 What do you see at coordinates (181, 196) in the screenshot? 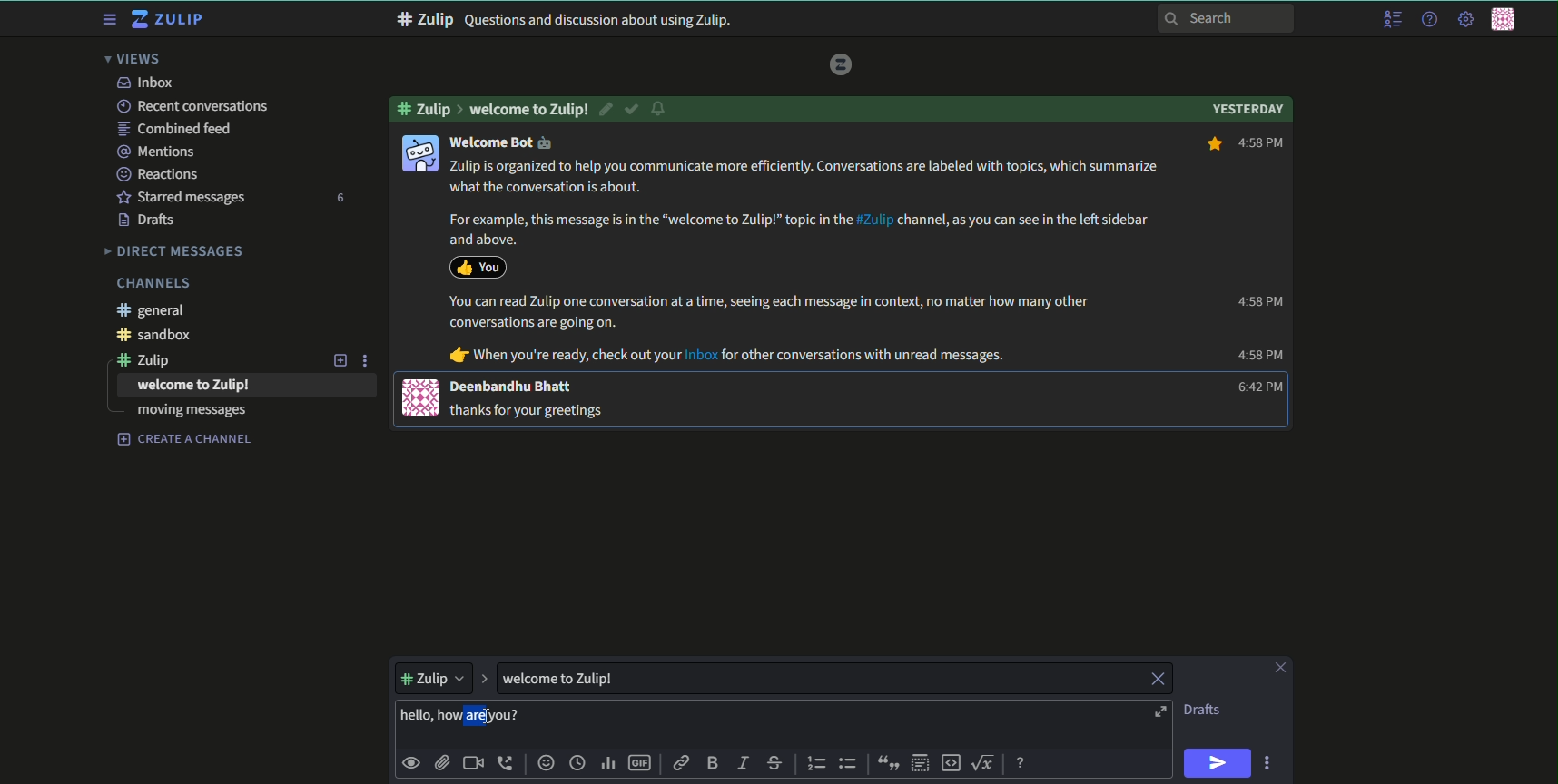
I see `starred messages` at bounding box center [181, 196].